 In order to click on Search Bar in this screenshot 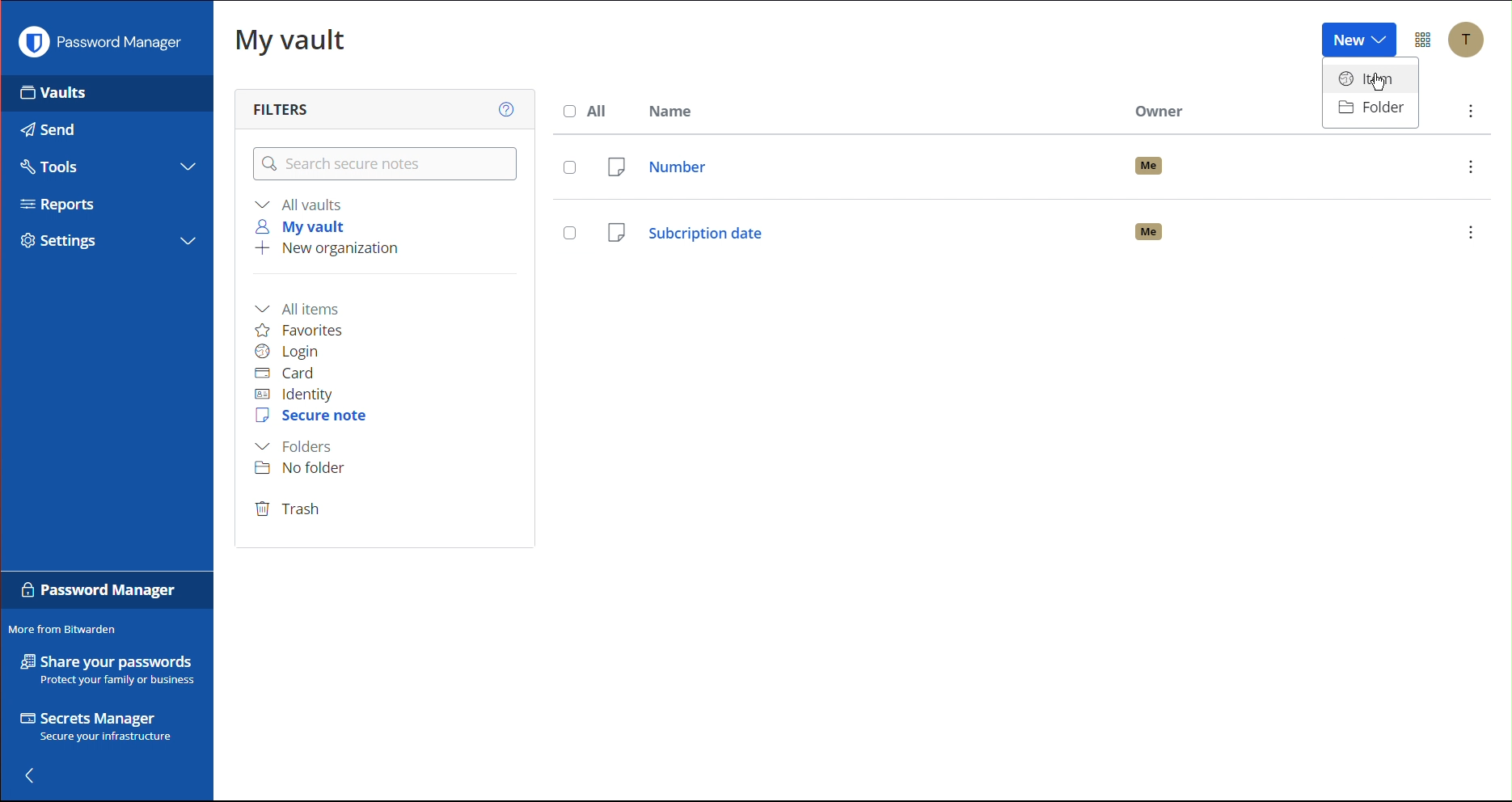, I will do `click(382, 165)`.